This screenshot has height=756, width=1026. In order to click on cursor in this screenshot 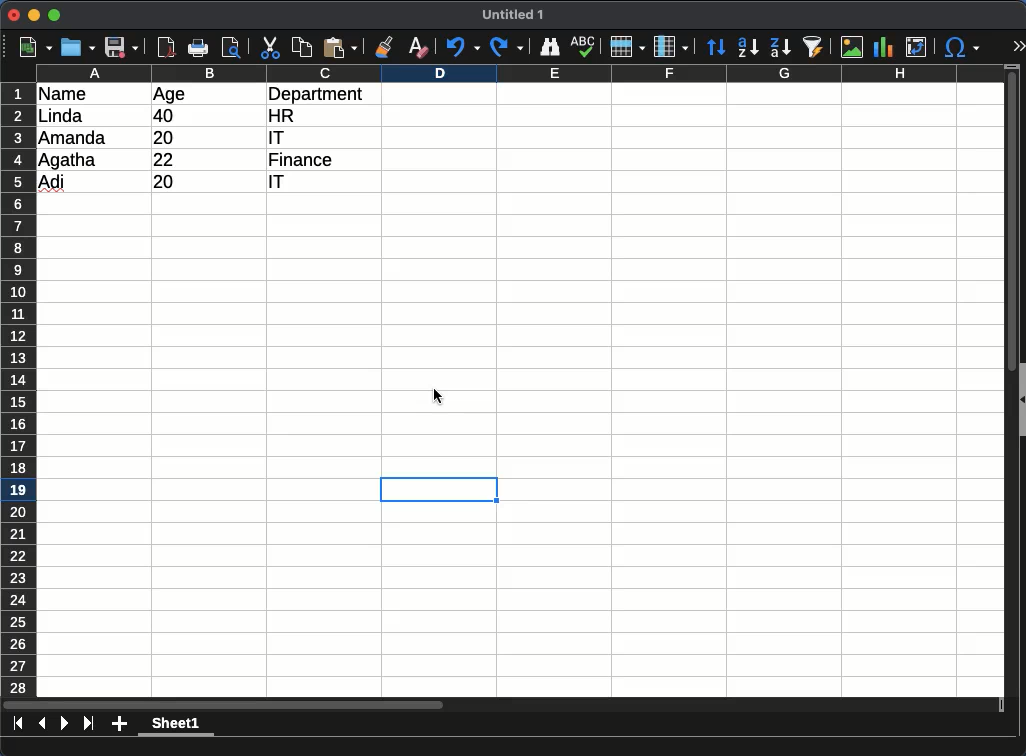, I will do `click(438, 397)`.